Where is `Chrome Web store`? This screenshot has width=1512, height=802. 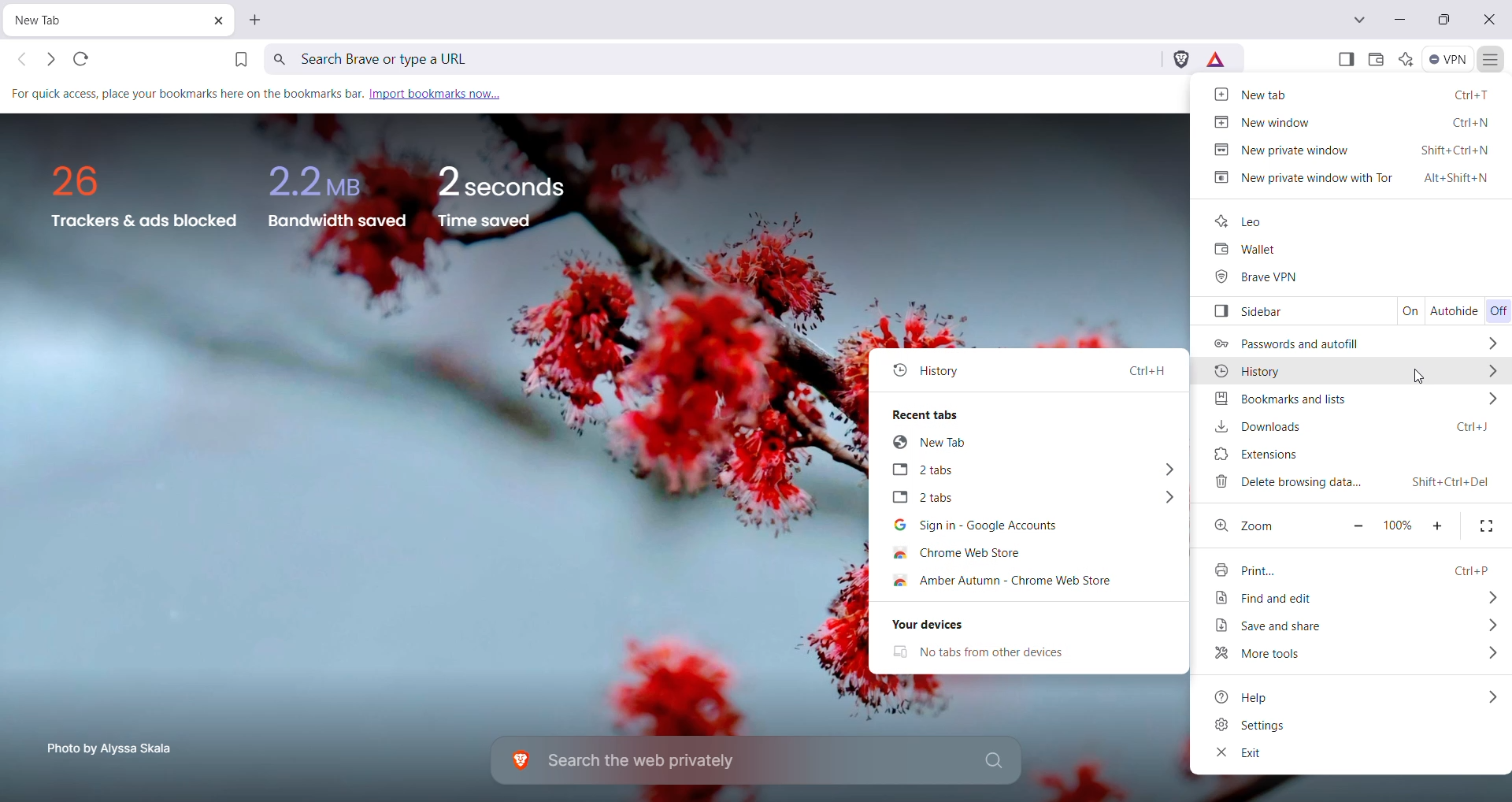
Chrome Web store is located at coordinates (982, 553).